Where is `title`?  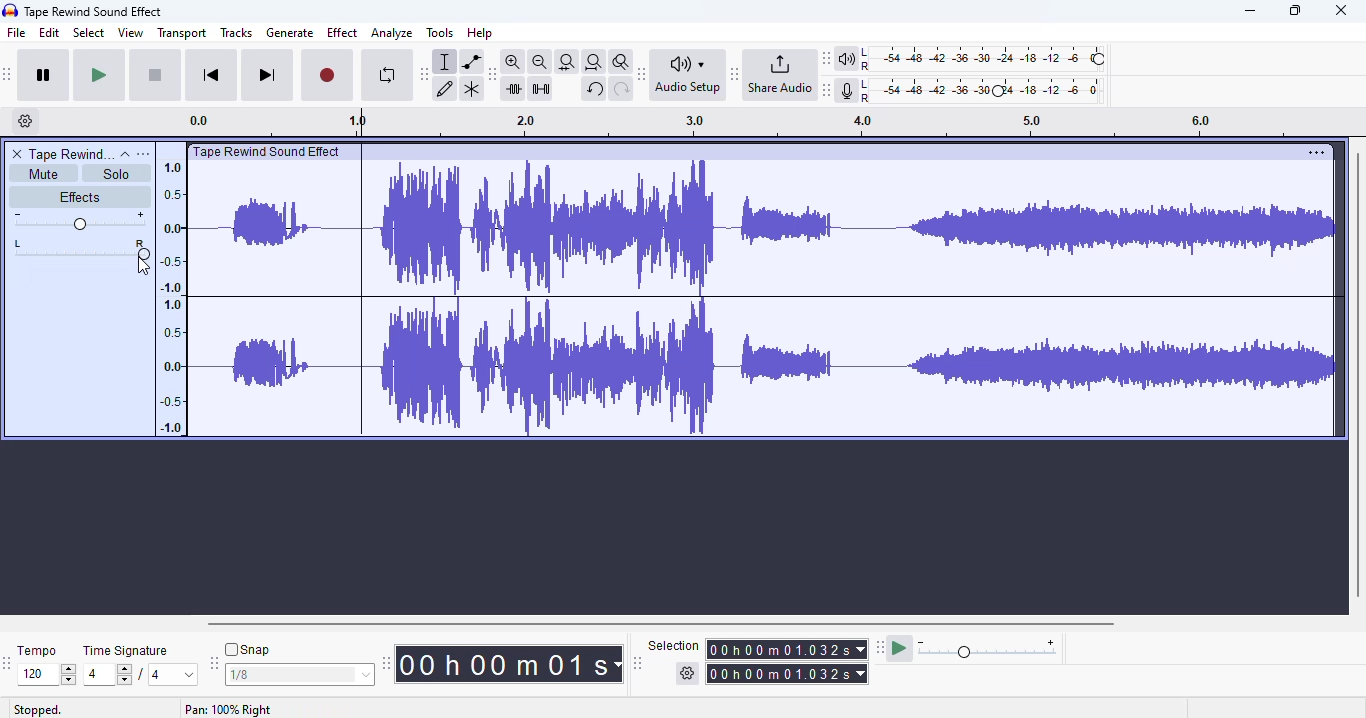 title is located at coordinates (94, 12).